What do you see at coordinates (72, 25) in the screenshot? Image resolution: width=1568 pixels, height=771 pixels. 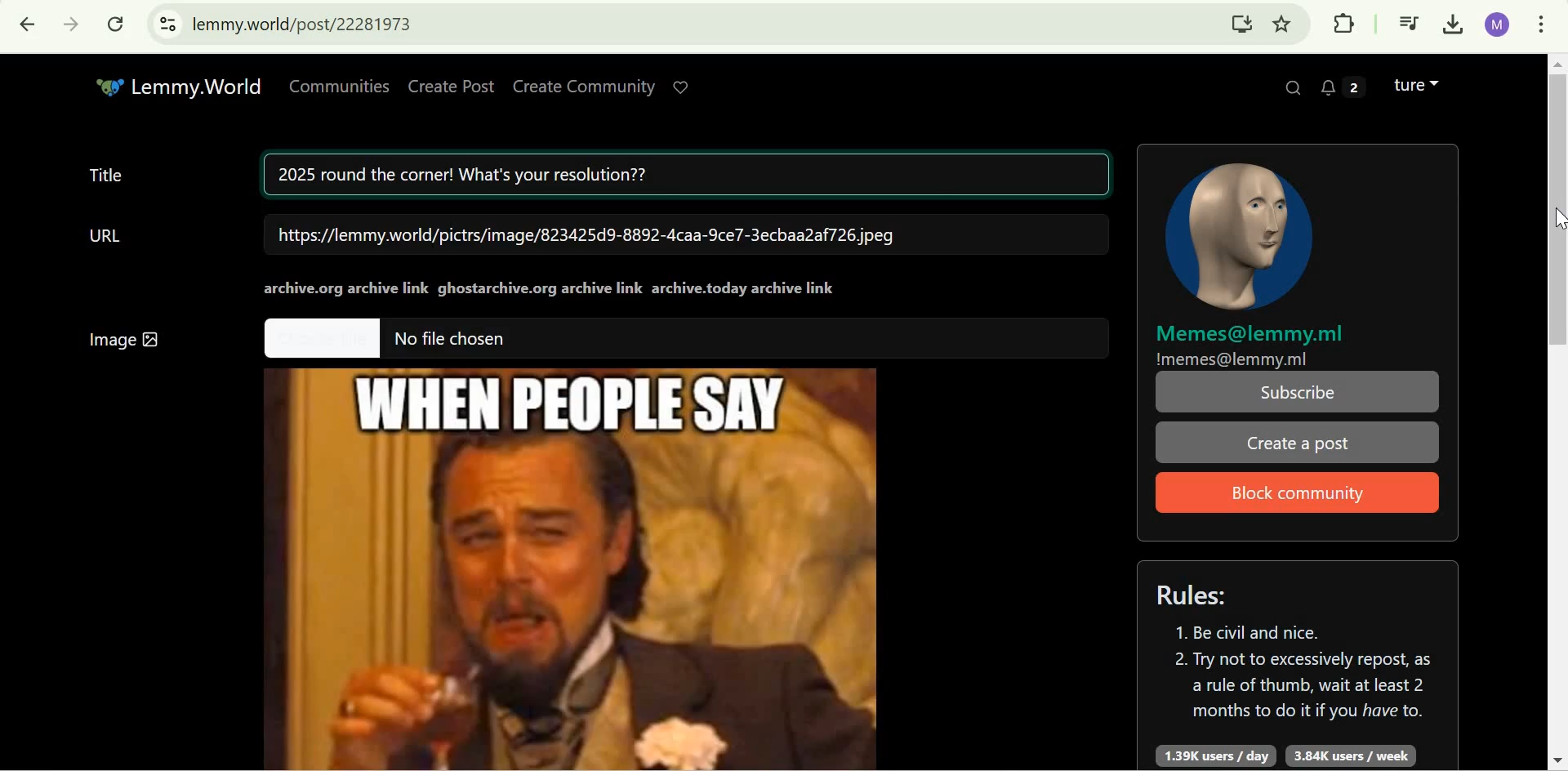 I see `Click to go forward, hold to see history` at bounding box center [72, 25].